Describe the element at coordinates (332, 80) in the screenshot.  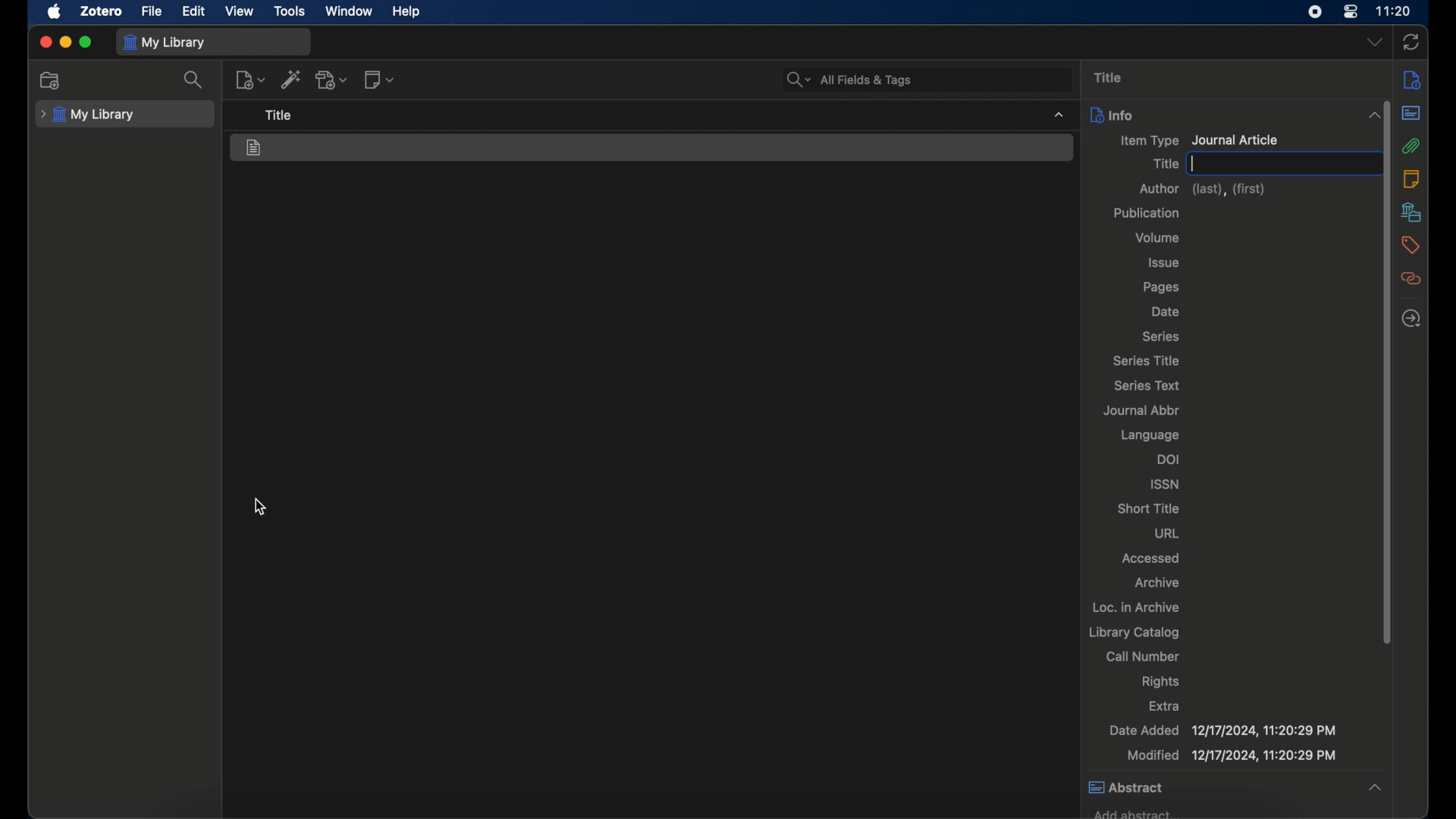
I see `add attachment` at that location.